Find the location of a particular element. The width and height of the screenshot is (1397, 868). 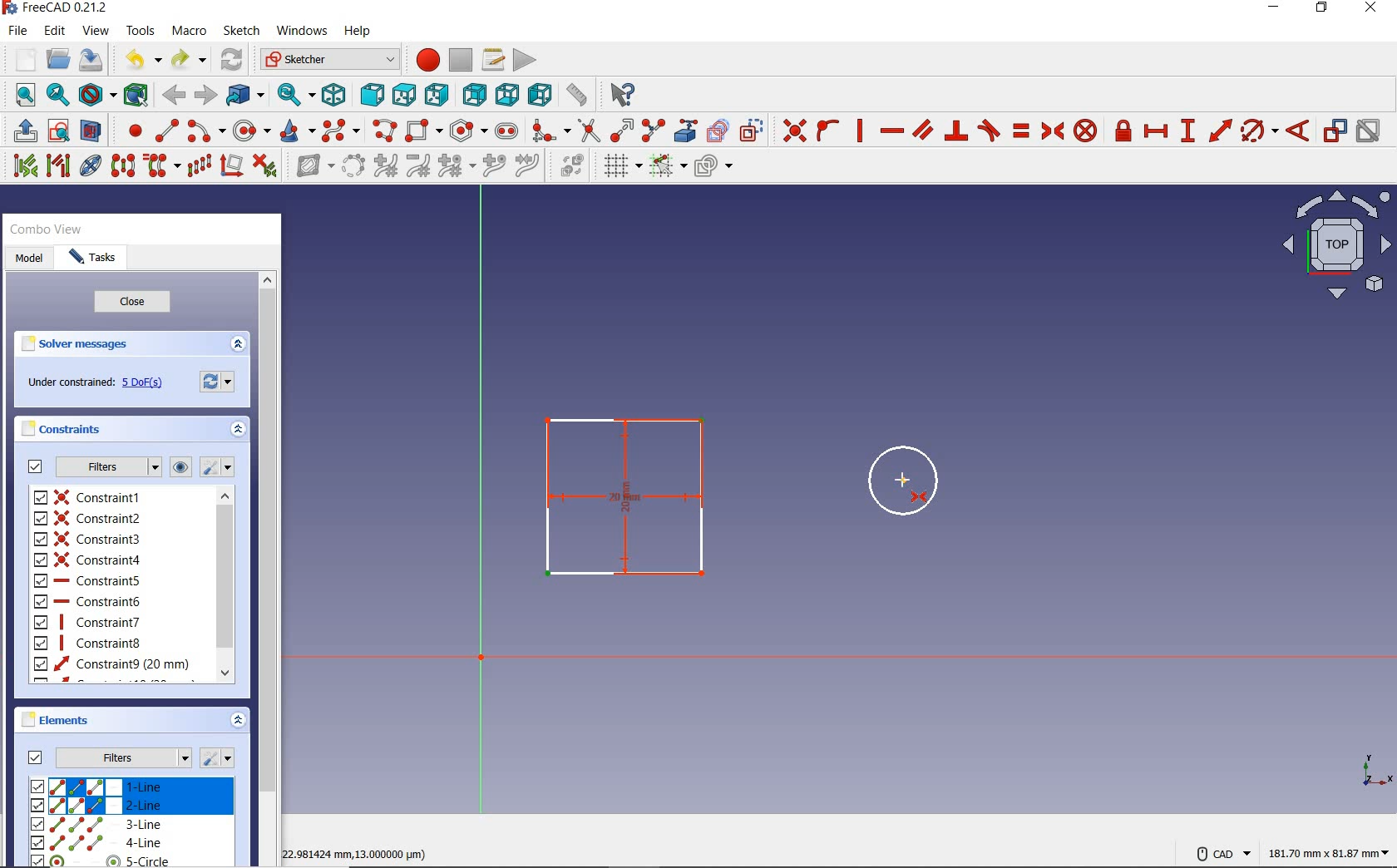

cursor is located at coordinates (905, 478).